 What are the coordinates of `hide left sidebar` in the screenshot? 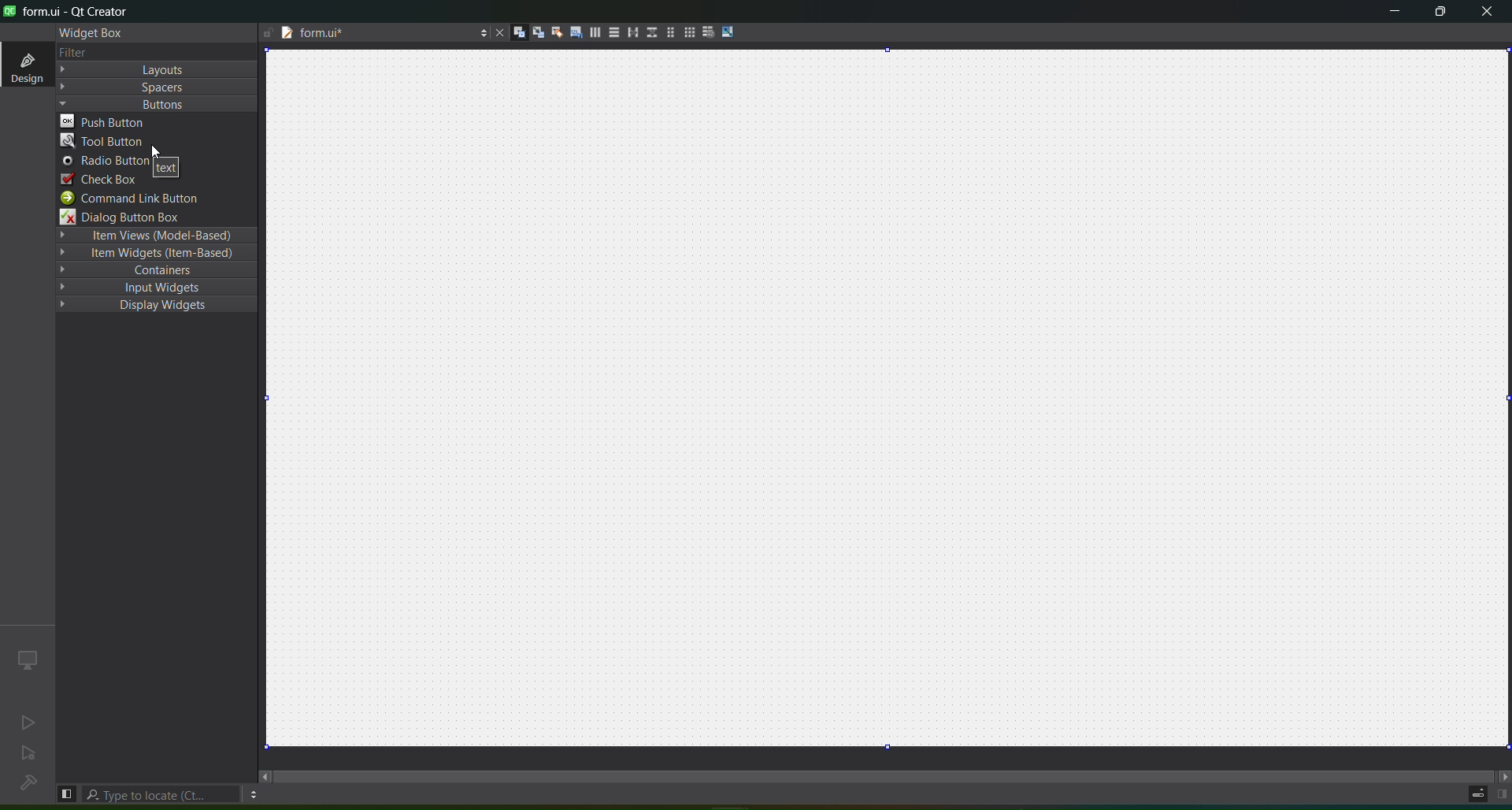 It's located at (67, 793).